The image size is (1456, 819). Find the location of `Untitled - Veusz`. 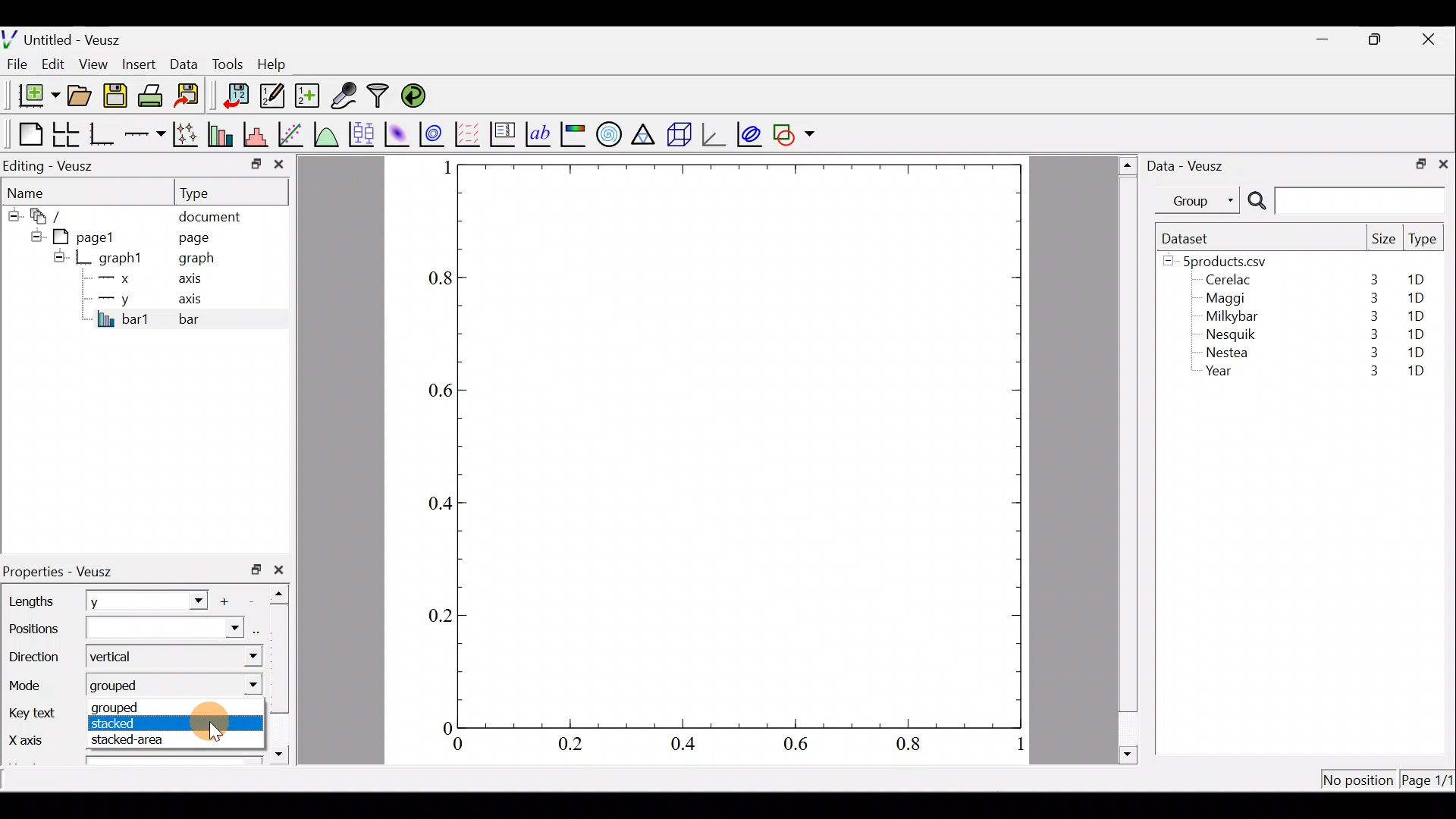

Untitled - Veusz is located at coordinates (67, 37).